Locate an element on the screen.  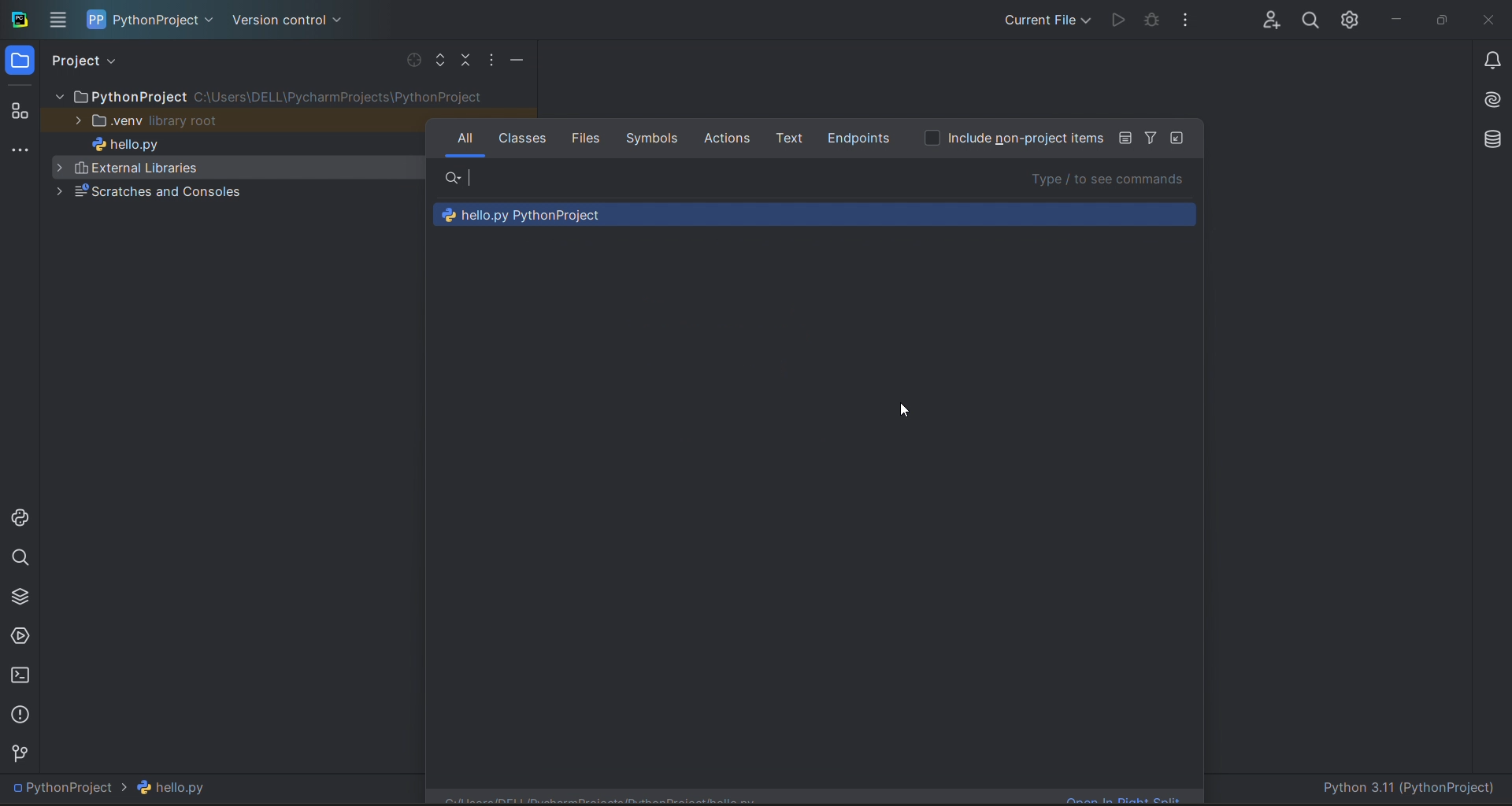
options is located at coordinates (1186, 19).